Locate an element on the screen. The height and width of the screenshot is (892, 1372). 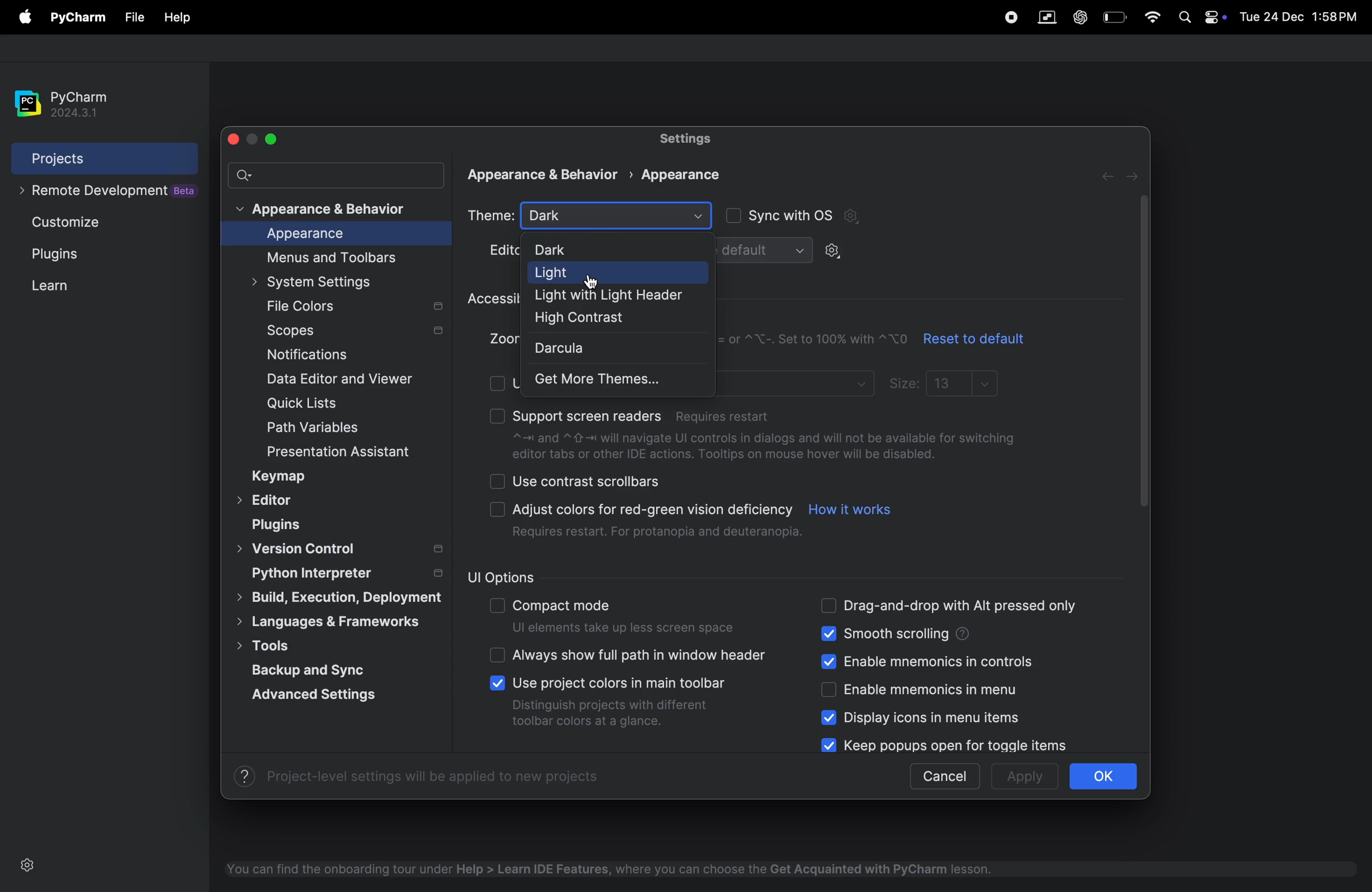
drag and drop alt pressed only is located at coordinates (956, 604).